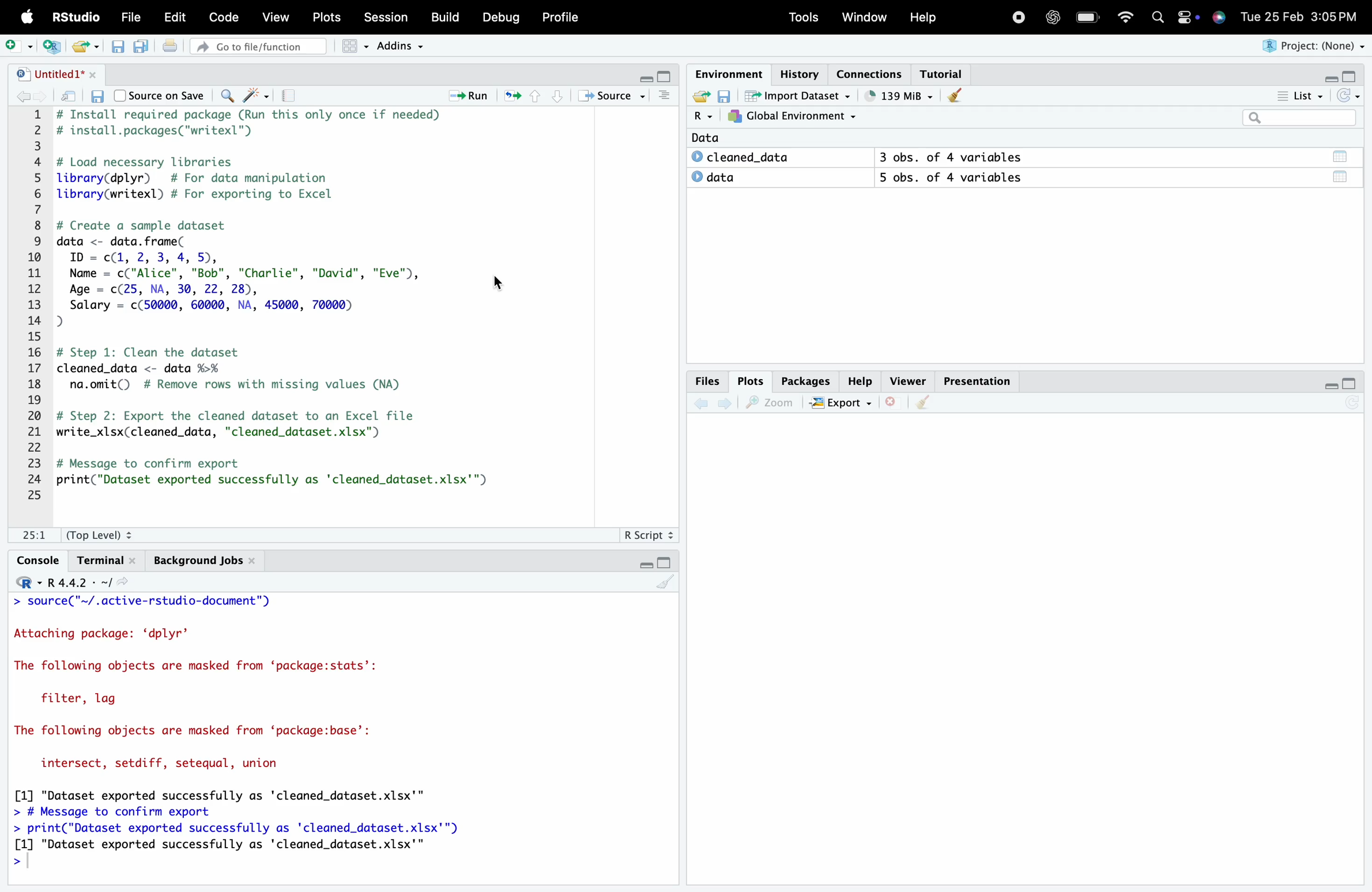 The height and width of the screenshot is (892, 1372). I want to click on Apple logo, so click(25, 17).